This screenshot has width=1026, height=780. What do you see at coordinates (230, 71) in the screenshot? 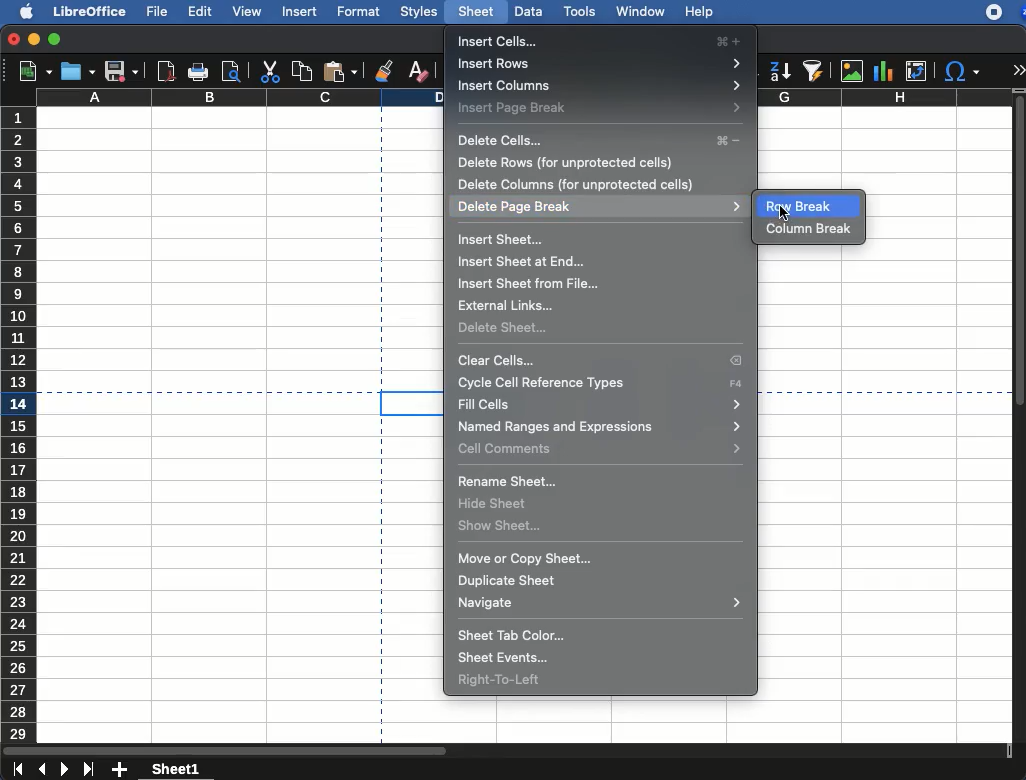
I see `print preview` at bounding box center [230, 71].